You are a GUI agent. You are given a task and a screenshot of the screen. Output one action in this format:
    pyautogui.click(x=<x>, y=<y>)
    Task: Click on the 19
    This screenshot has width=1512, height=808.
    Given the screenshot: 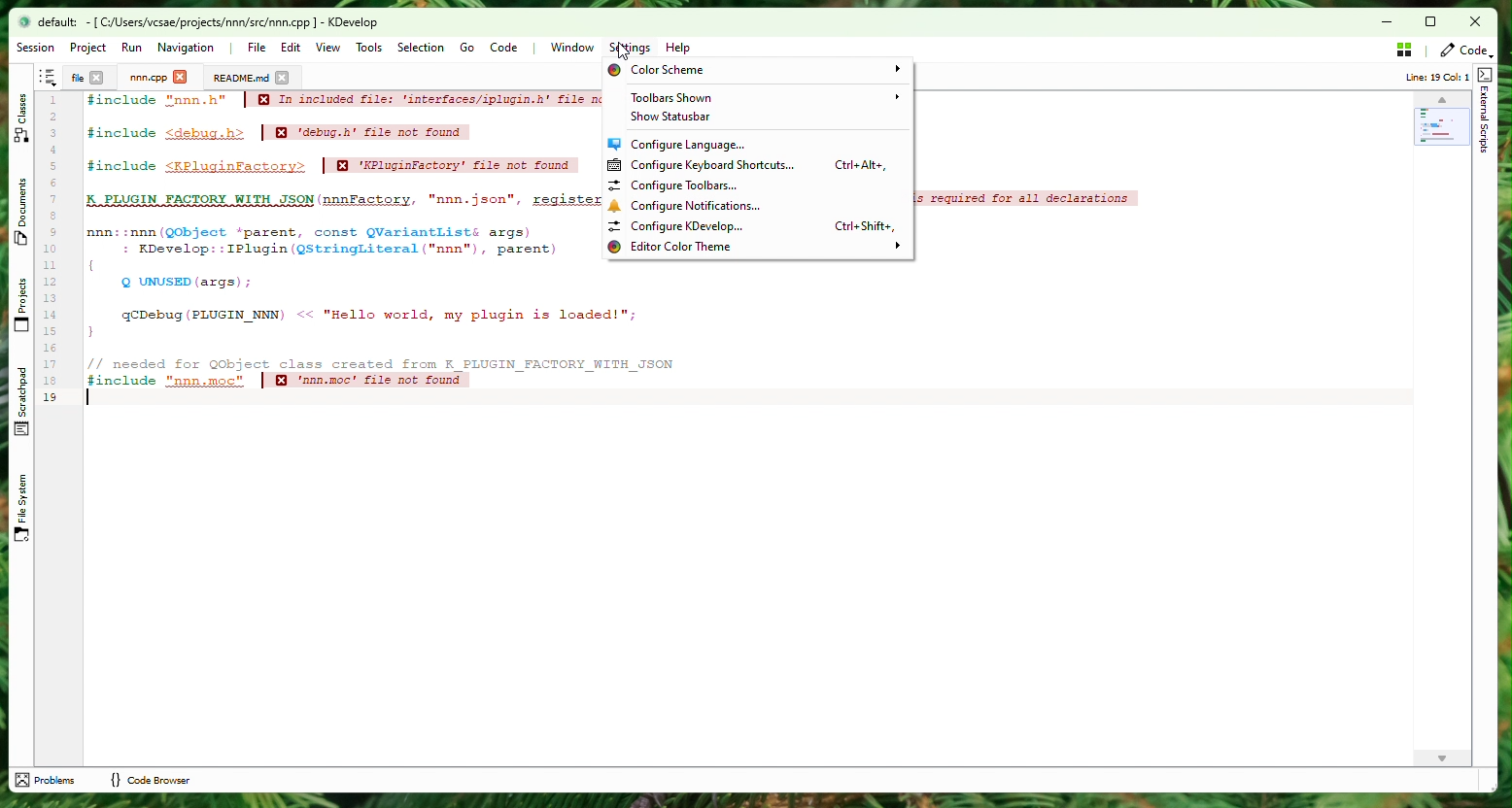 What is the action you would take?
    pyautogui.click(x=52, y=396)
    